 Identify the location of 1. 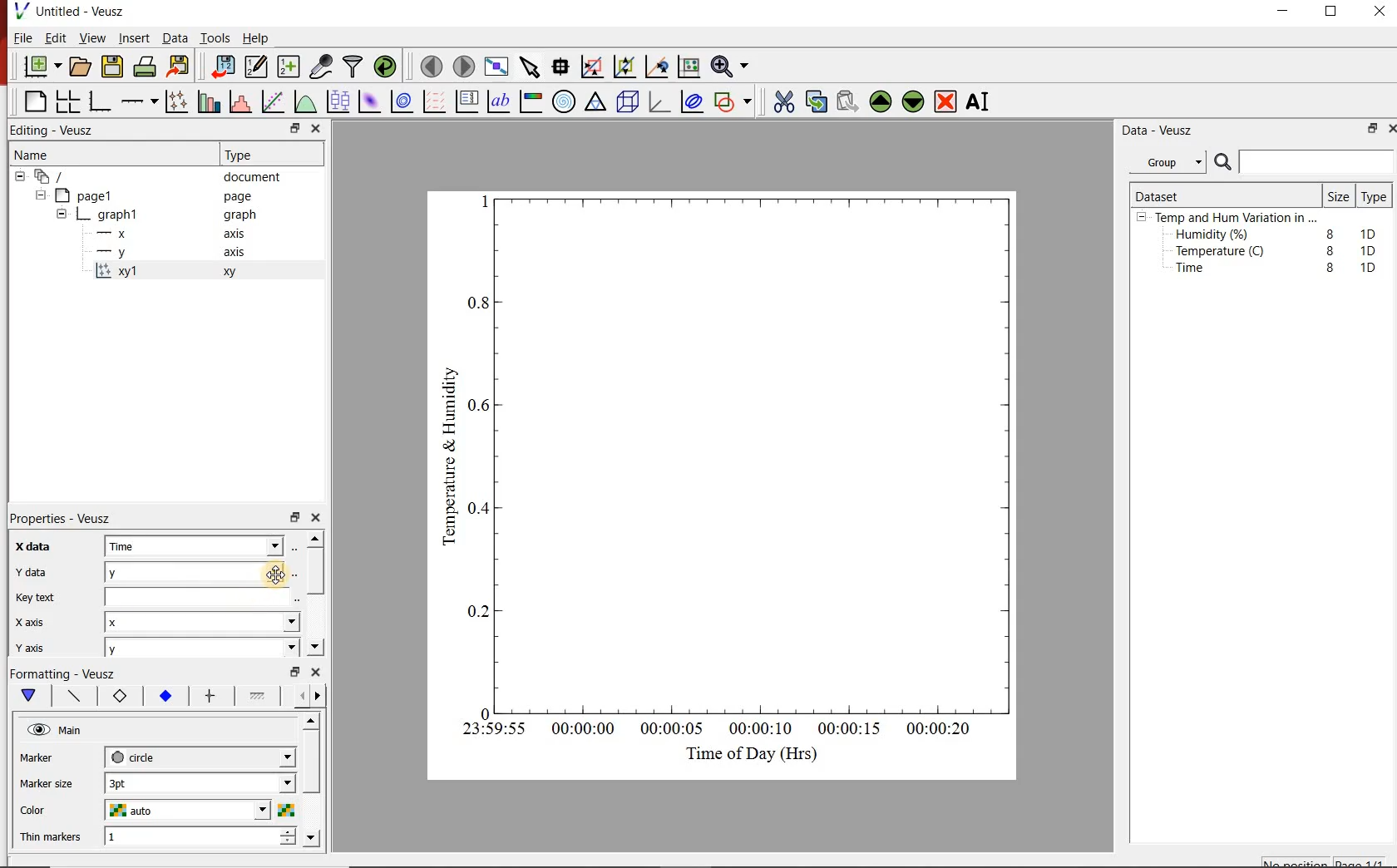
(481, 200).